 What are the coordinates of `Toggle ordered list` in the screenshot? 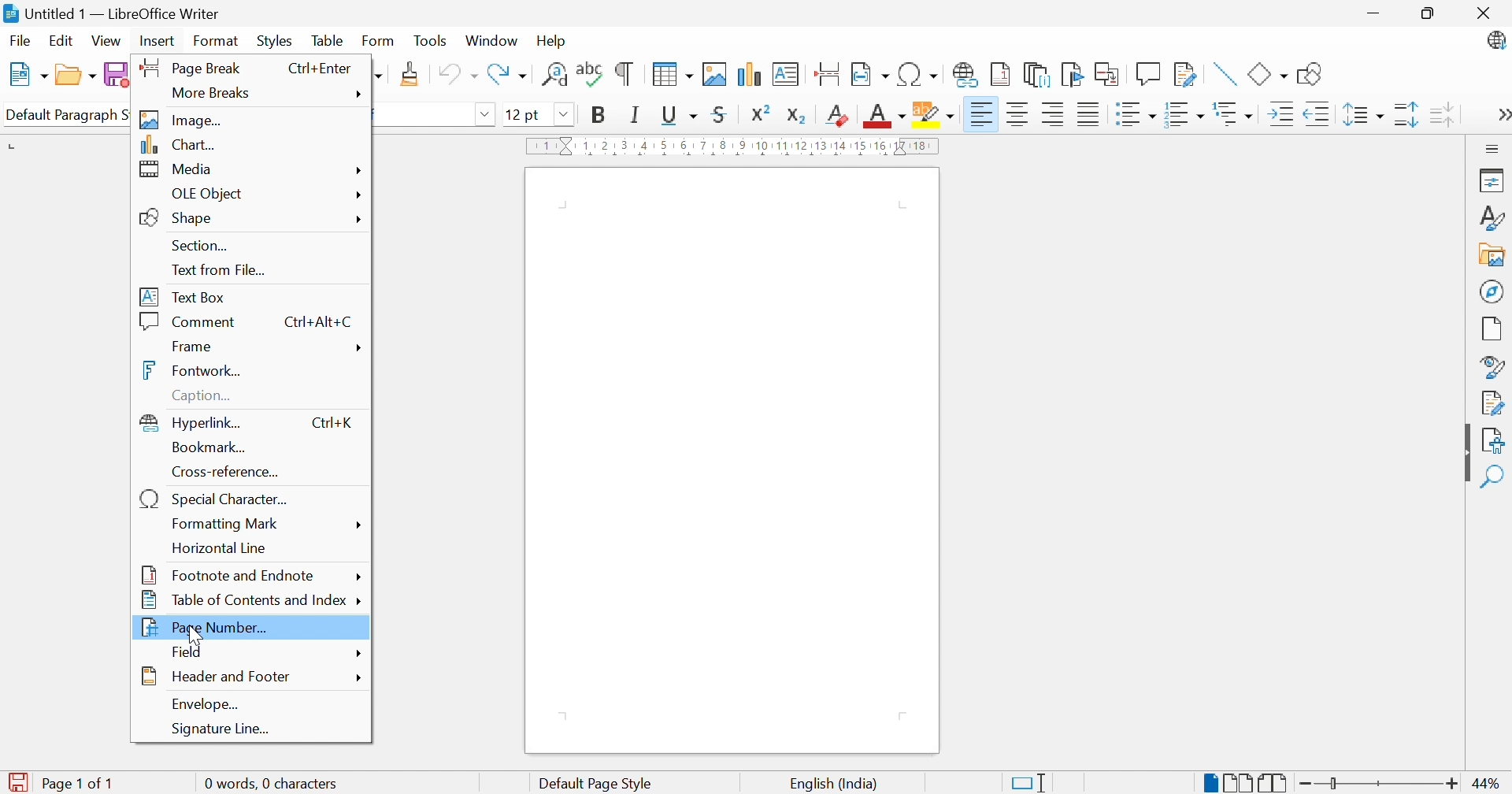 It's located at (1182, 116).